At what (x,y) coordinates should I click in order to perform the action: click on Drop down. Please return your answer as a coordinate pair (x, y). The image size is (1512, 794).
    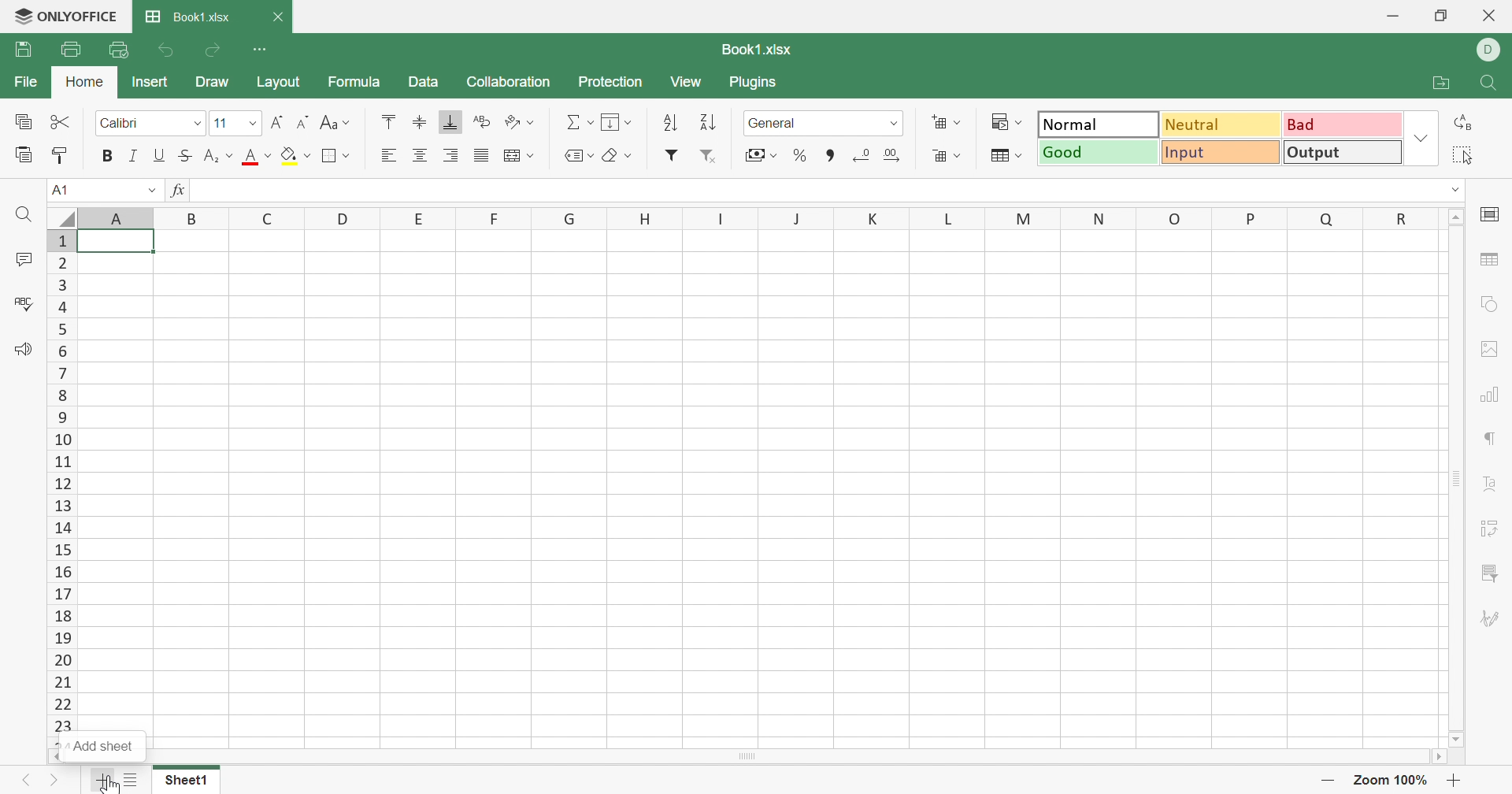
    Looking at the image, I should click on (350, 155).